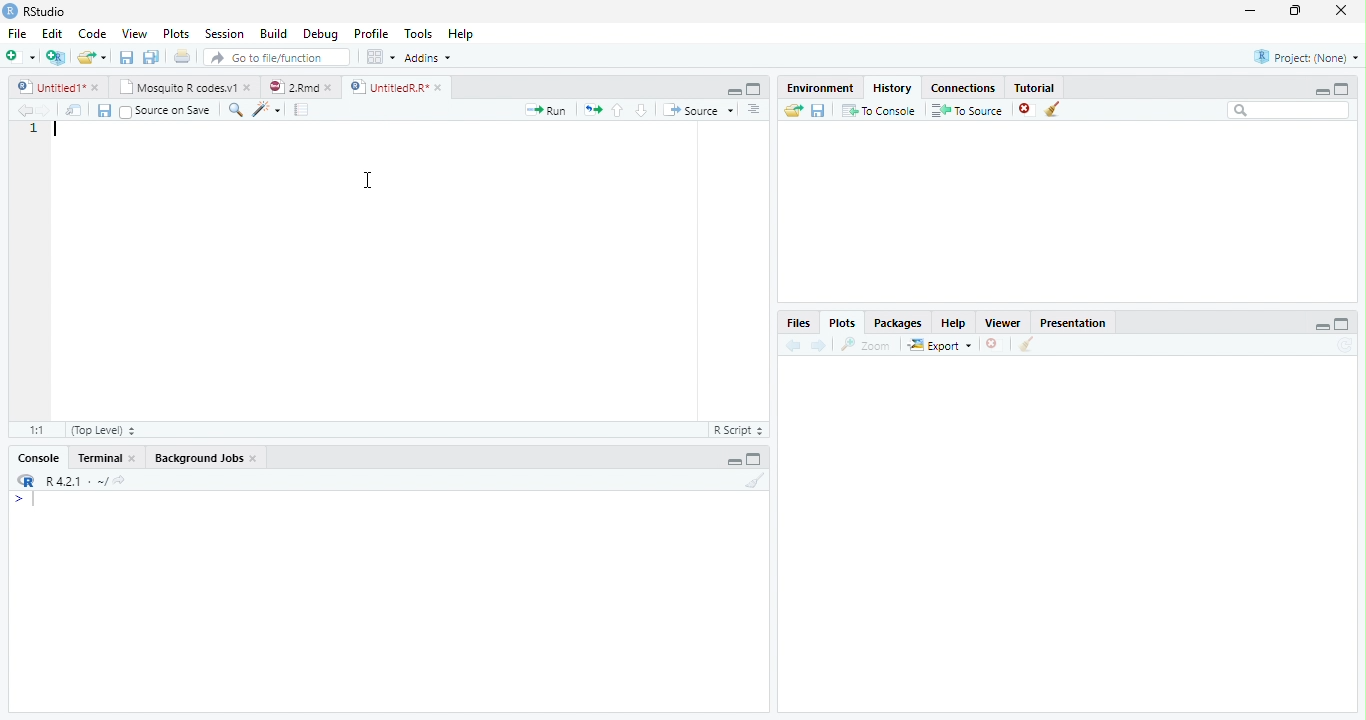  What do you see at coordinates (820, 111) in the screenshot?
I see `save workspace` at bounding box center [820, 111].